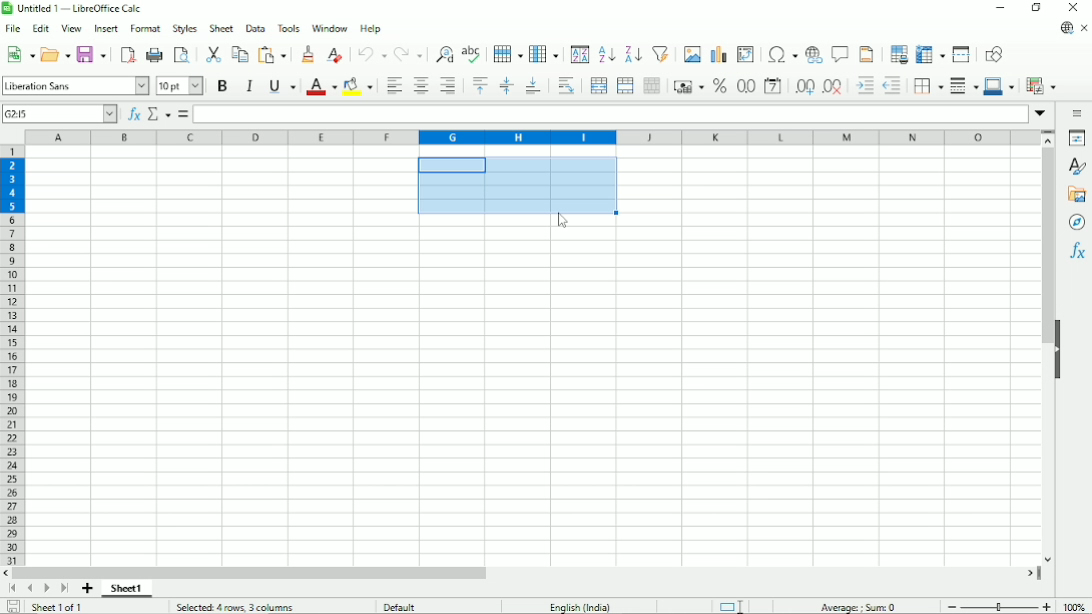  Describe the element at coordinates (448, 87) in the screenshot. I see `Align right` at that location.